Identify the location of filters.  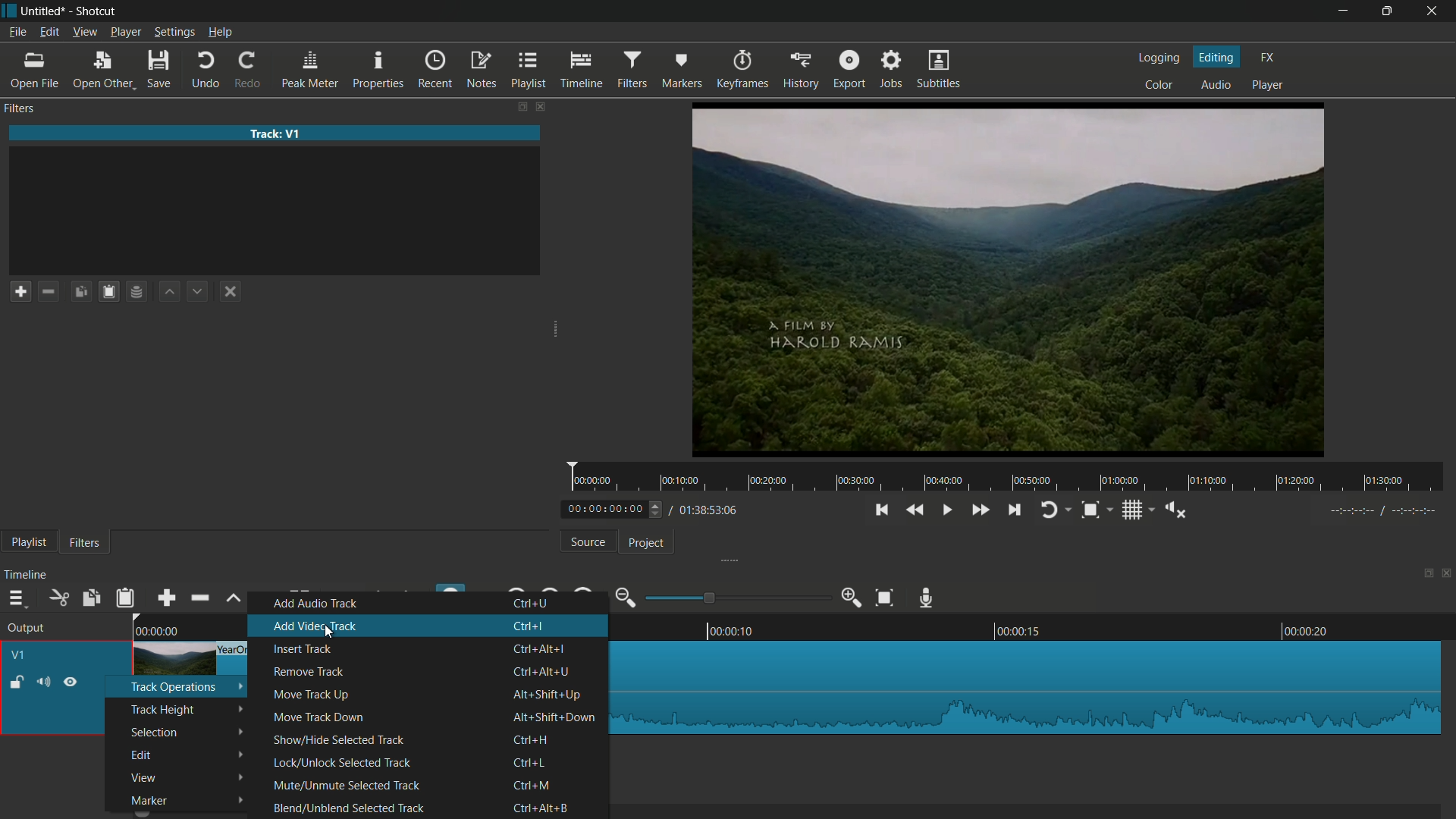
(21, 109).